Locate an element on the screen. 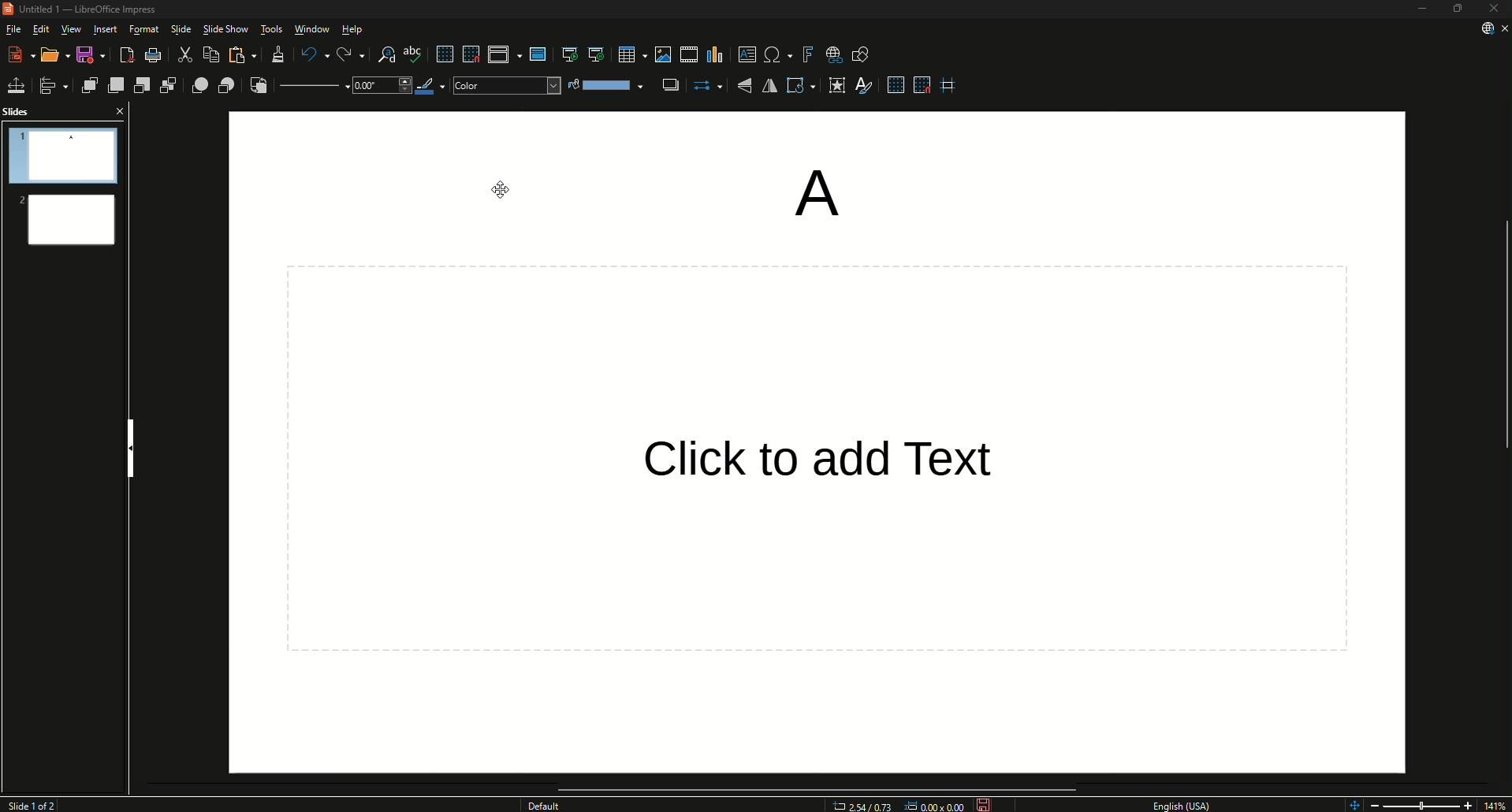 The width and height of the screenshot is (1512, 812). Show Styles Sidebar is located at coordinates (869, 86).